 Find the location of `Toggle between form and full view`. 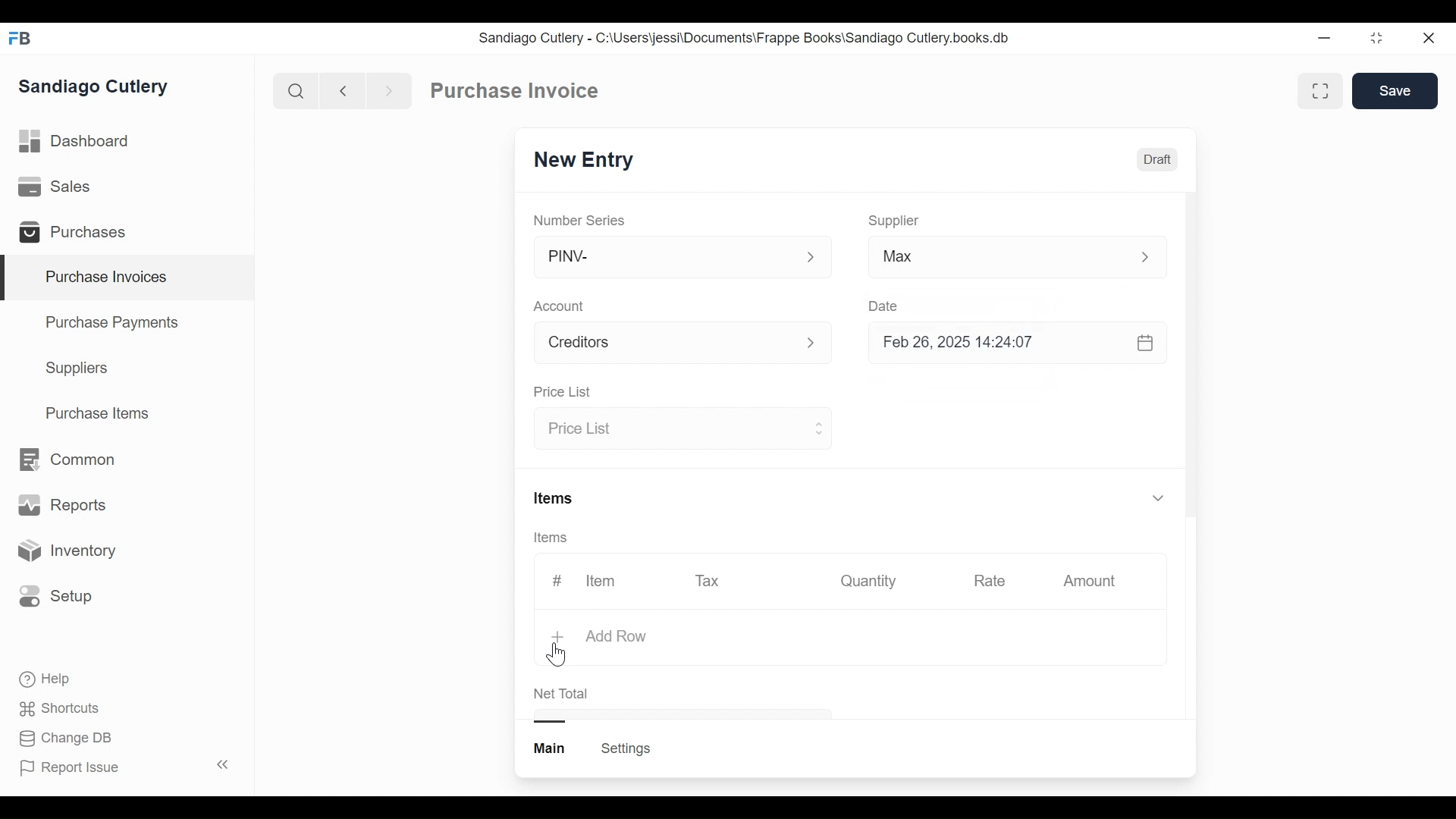

Toggle between form and full view is located at coordinates (1321, 91).